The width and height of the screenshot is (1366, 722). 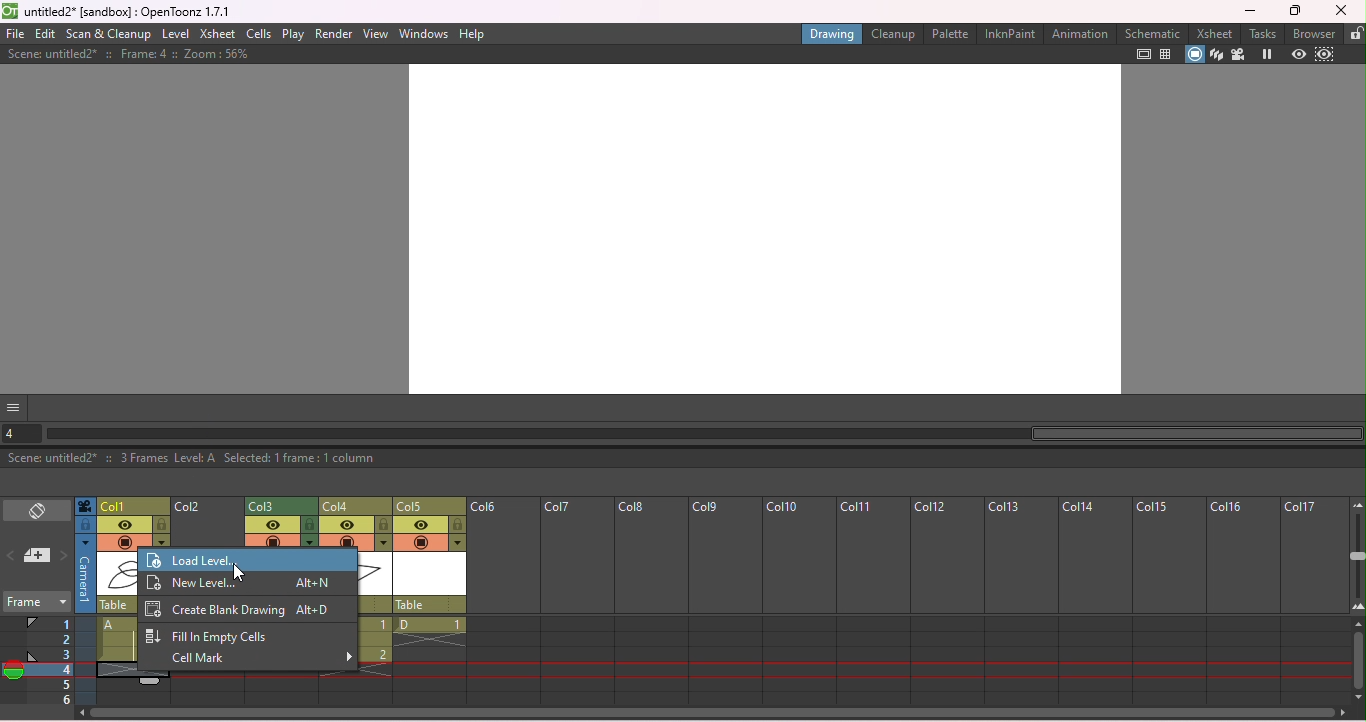 What do you see at coordinates (15, 407) in the screenshot?
I see `GUI show/hide` at bounding box center [15, 407].